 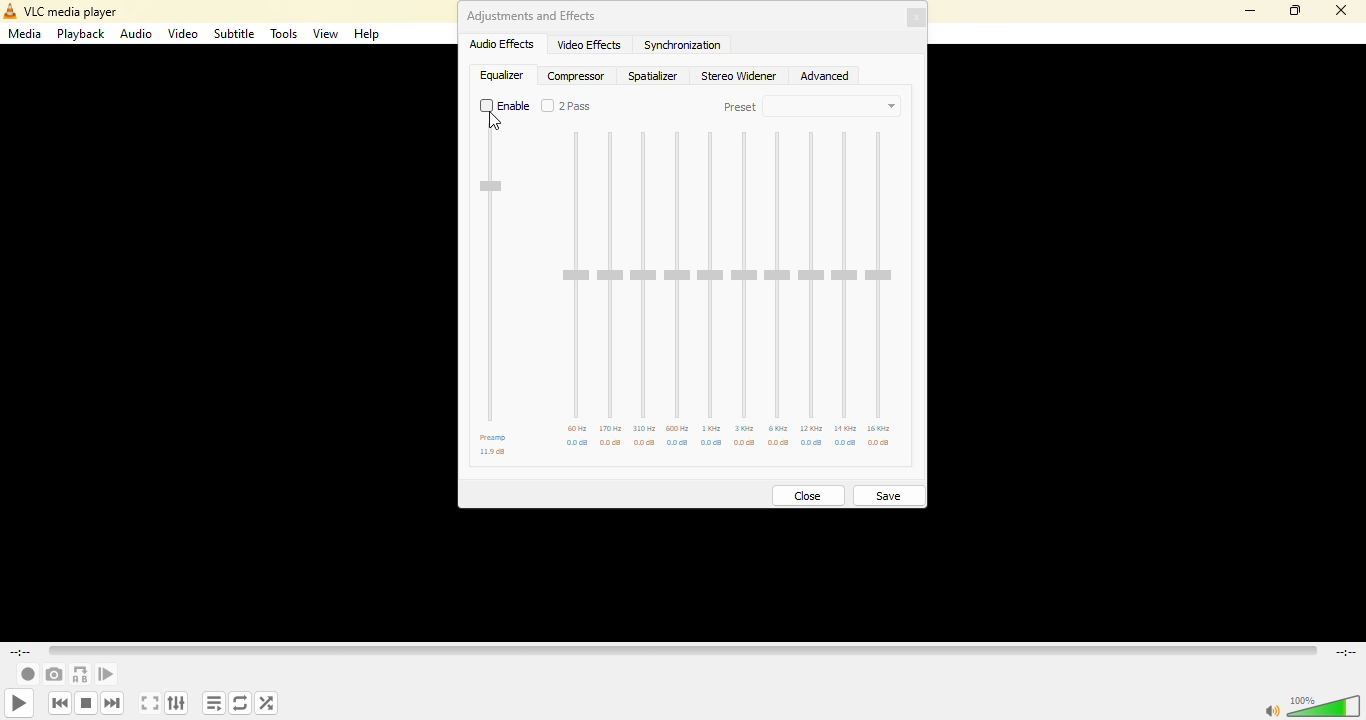 What do you see at coordinates (645, 443) in the screenshot?
I see `db` at bounding box center [645, 443].